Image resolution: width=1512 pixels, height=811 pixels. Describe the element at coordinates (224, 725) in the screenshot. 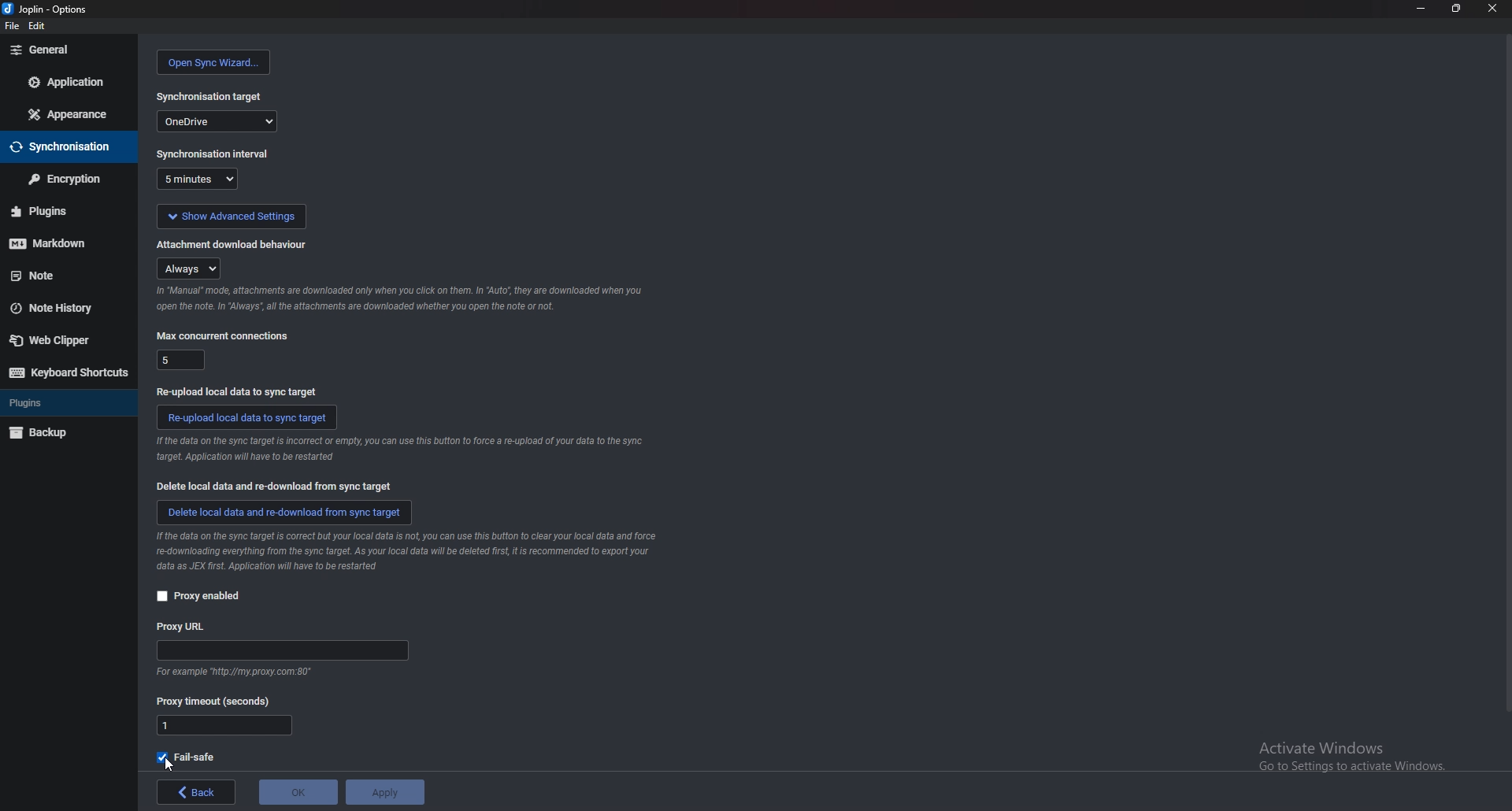

I see `proxy timeout` at that location.